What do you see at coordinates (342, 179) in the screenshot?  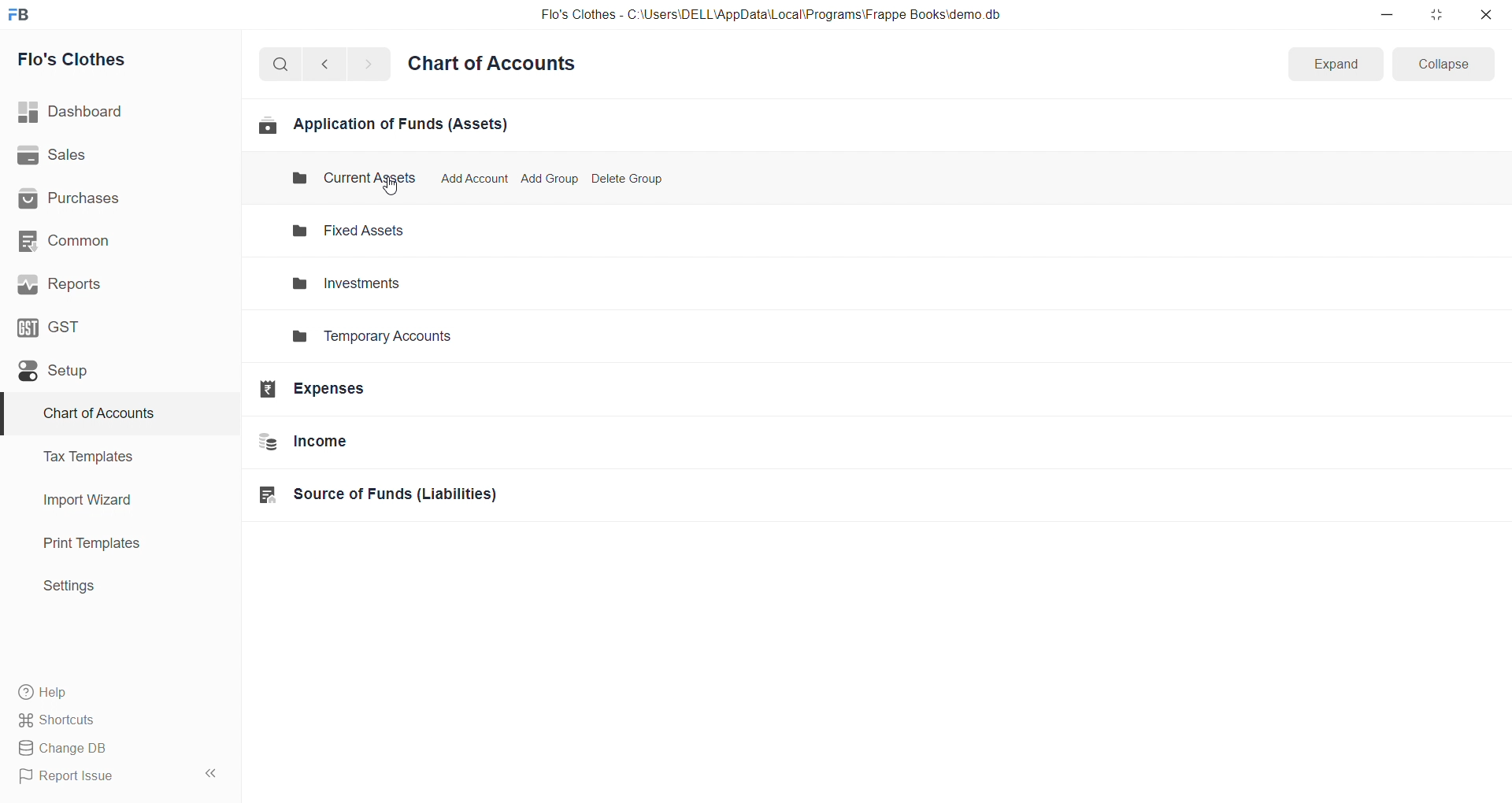 I see `Current Assets` at bounding box center [342, 179].